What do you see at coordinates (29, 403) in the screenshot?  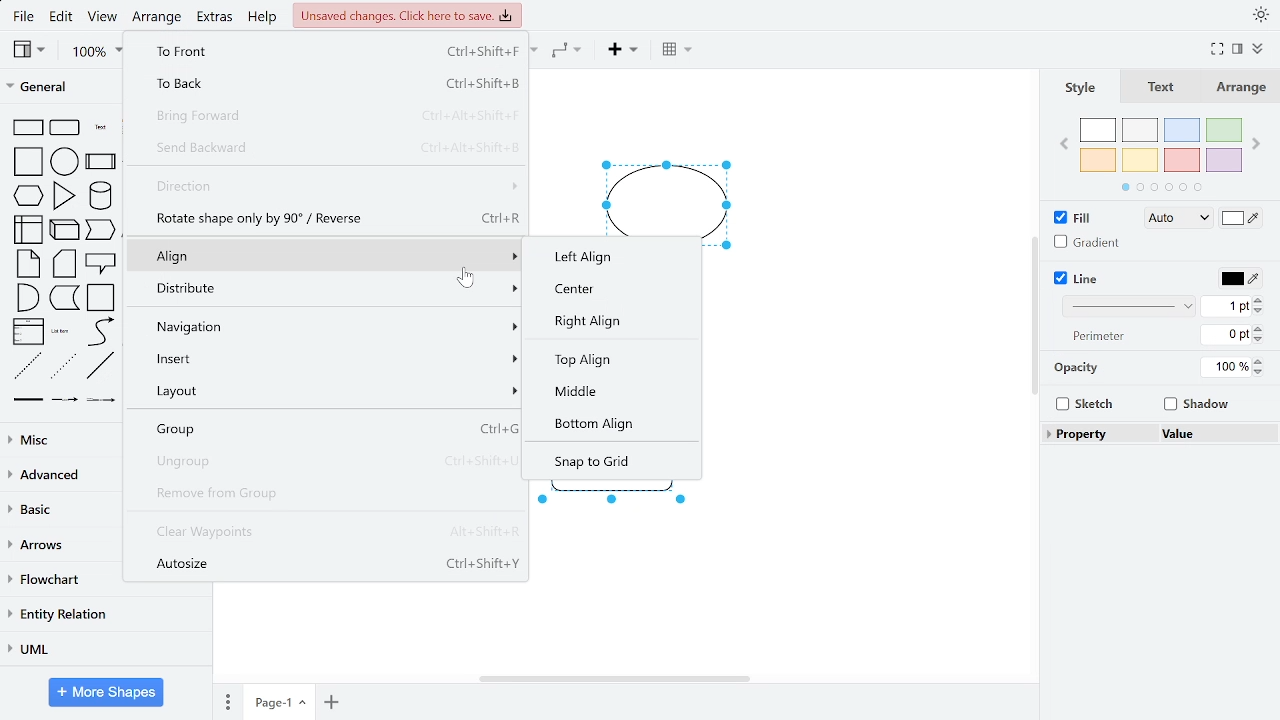 I see `link` at bounding box center [29, 403].